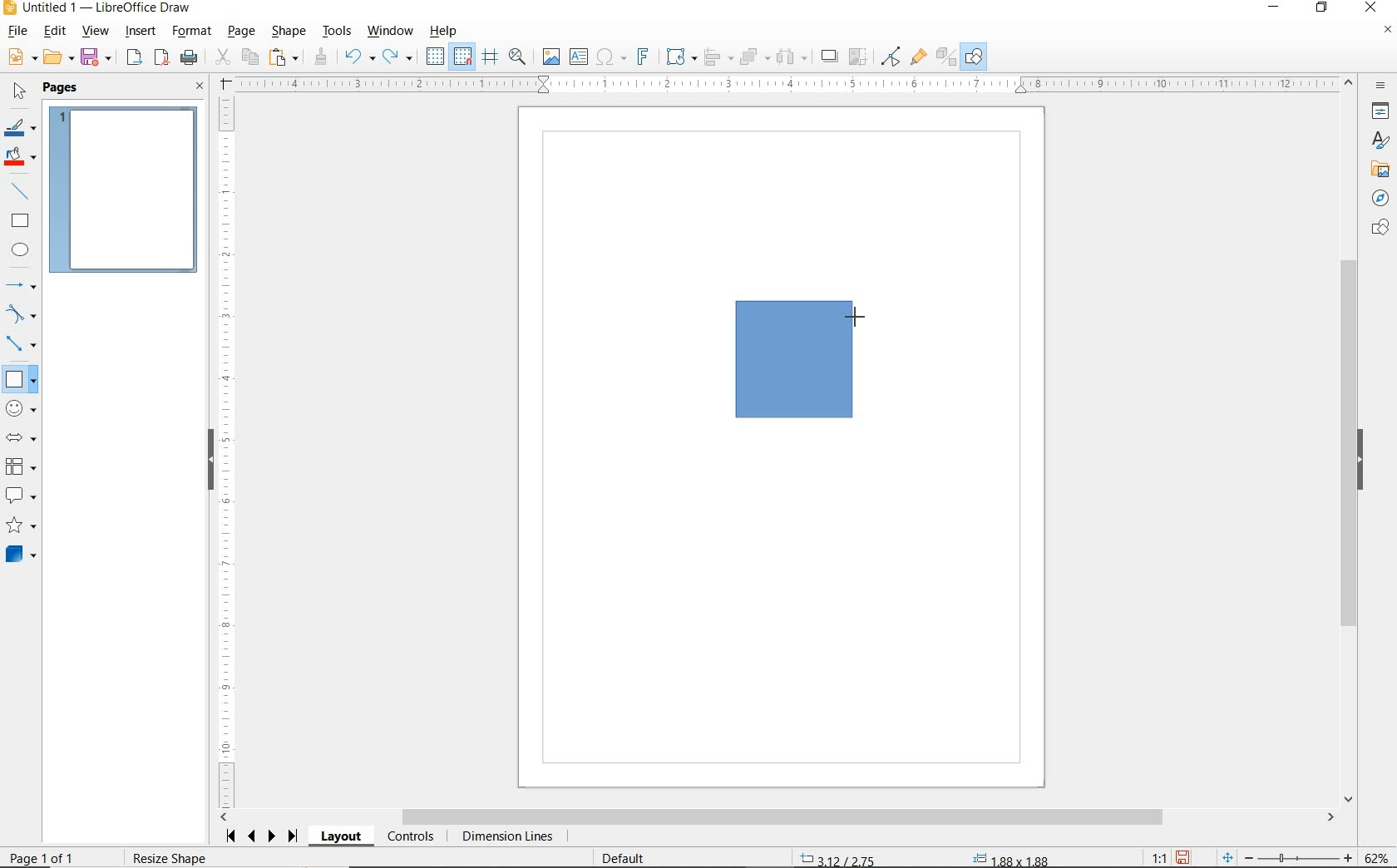  Describe the element at coordinates (24, 466) in the screenshot. I see `FLOWCHART` at that location.